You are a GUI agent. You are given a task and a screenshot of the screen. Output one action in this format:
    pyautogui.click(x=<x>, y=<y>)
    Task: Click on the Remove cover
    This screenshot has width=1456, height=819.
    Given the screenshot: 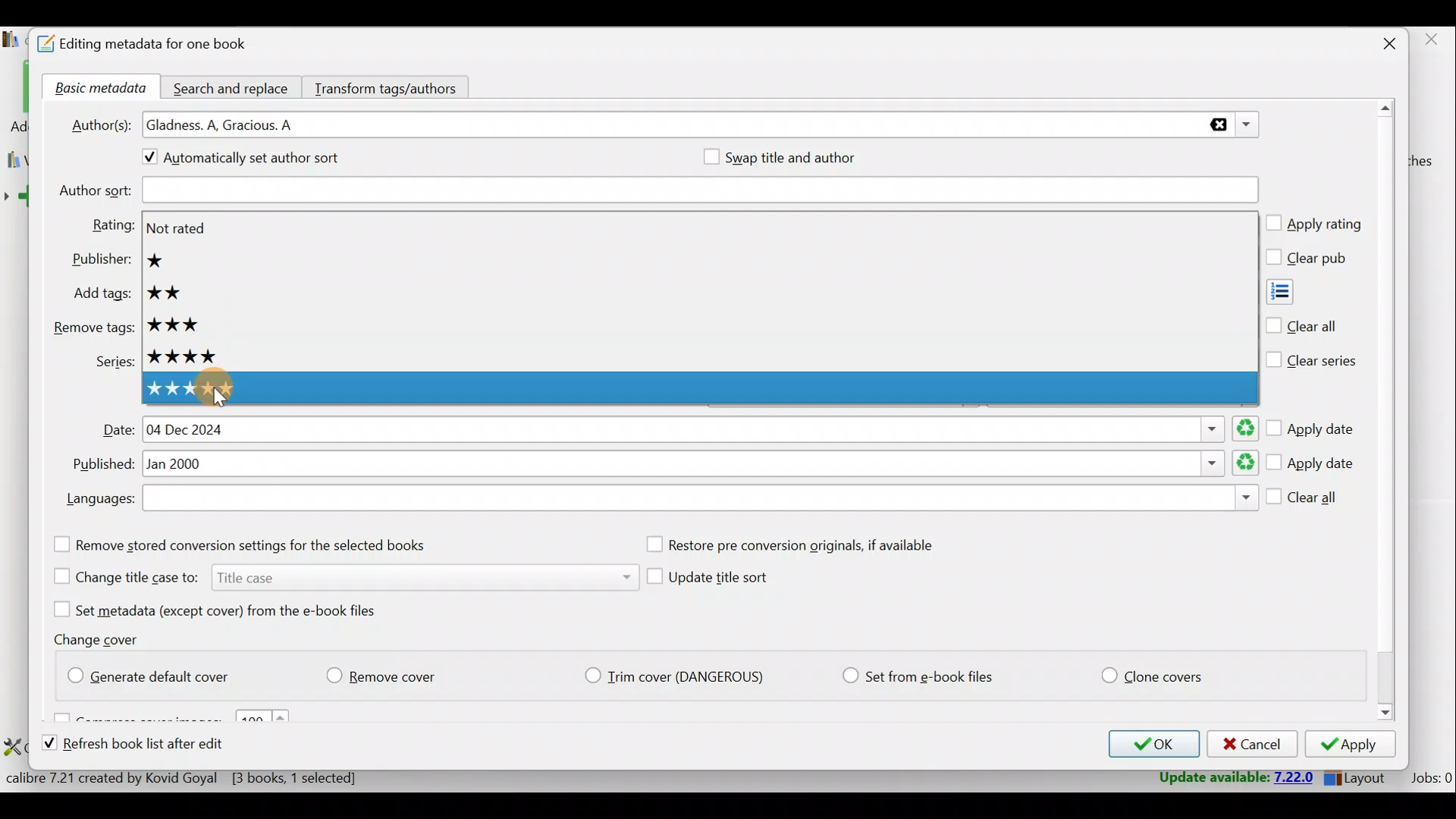 What is the action you would take?
    pyautogui.click(x=391, y=673)
    